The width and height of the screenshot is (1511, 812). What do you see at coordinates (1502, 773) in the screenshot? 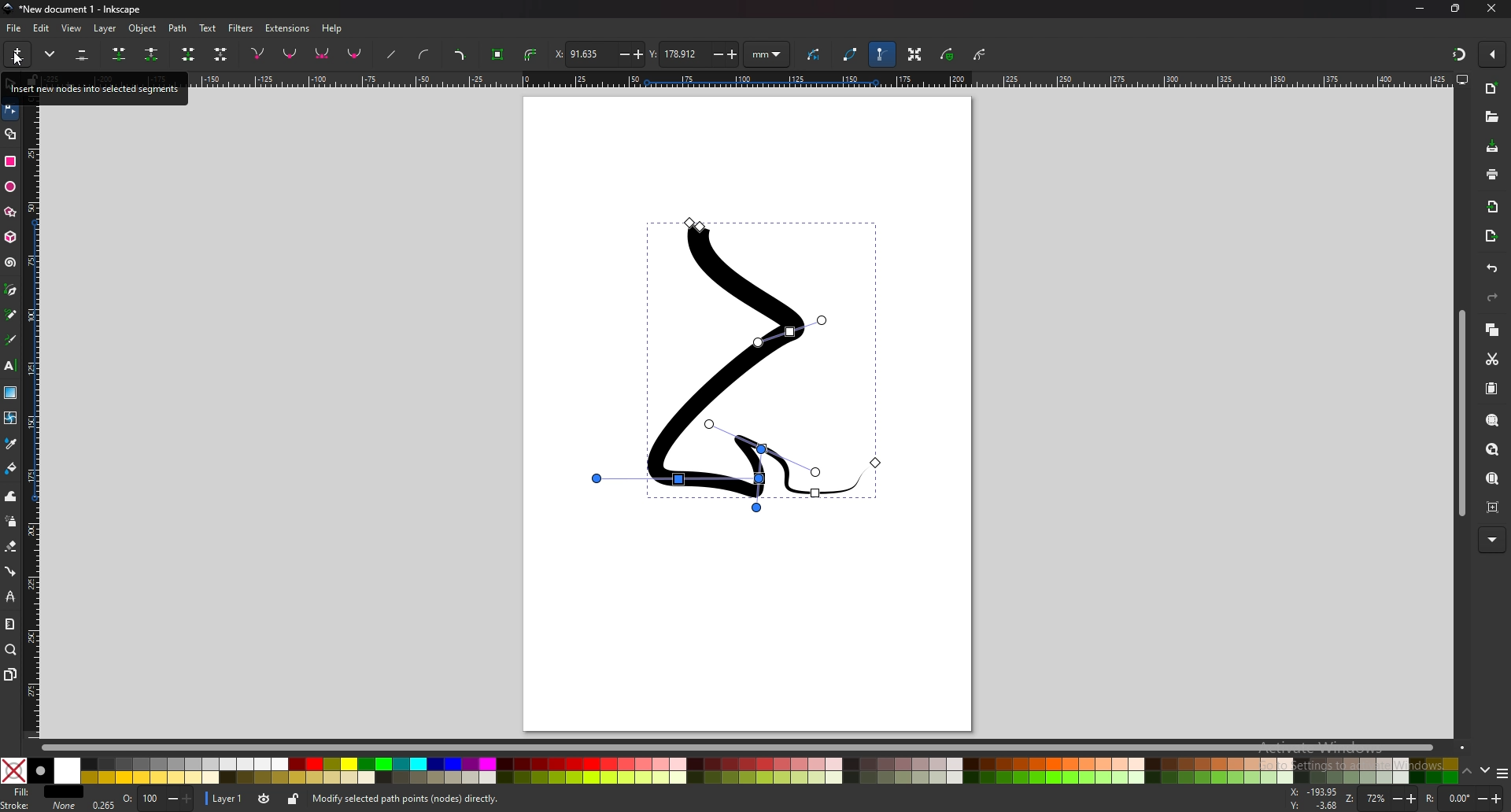
I see `options` at bounding box center [1502, 773].